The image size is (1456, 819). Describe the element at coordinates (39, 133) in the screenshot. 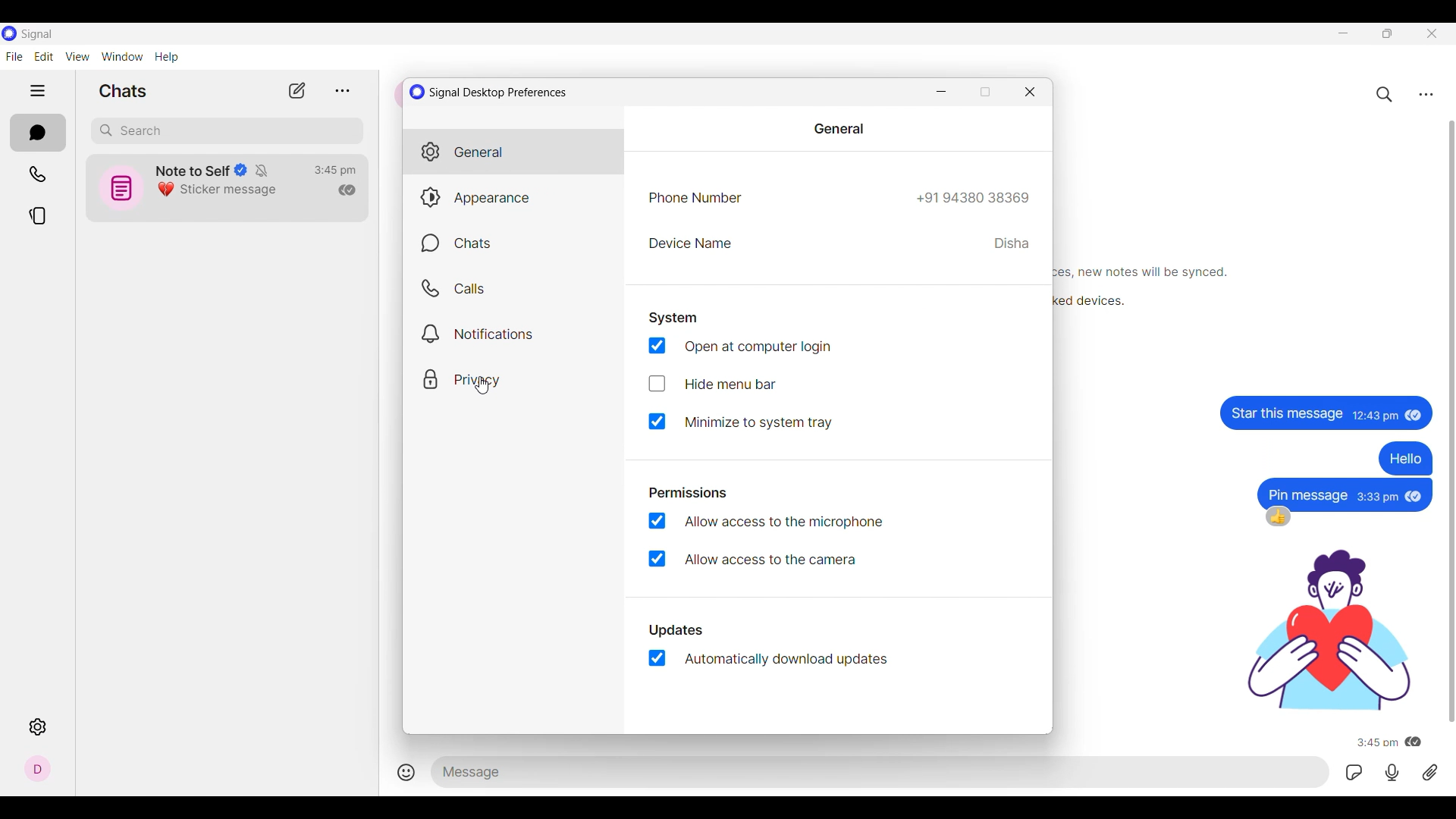

I see `Chats, current section highlighted` at that location.